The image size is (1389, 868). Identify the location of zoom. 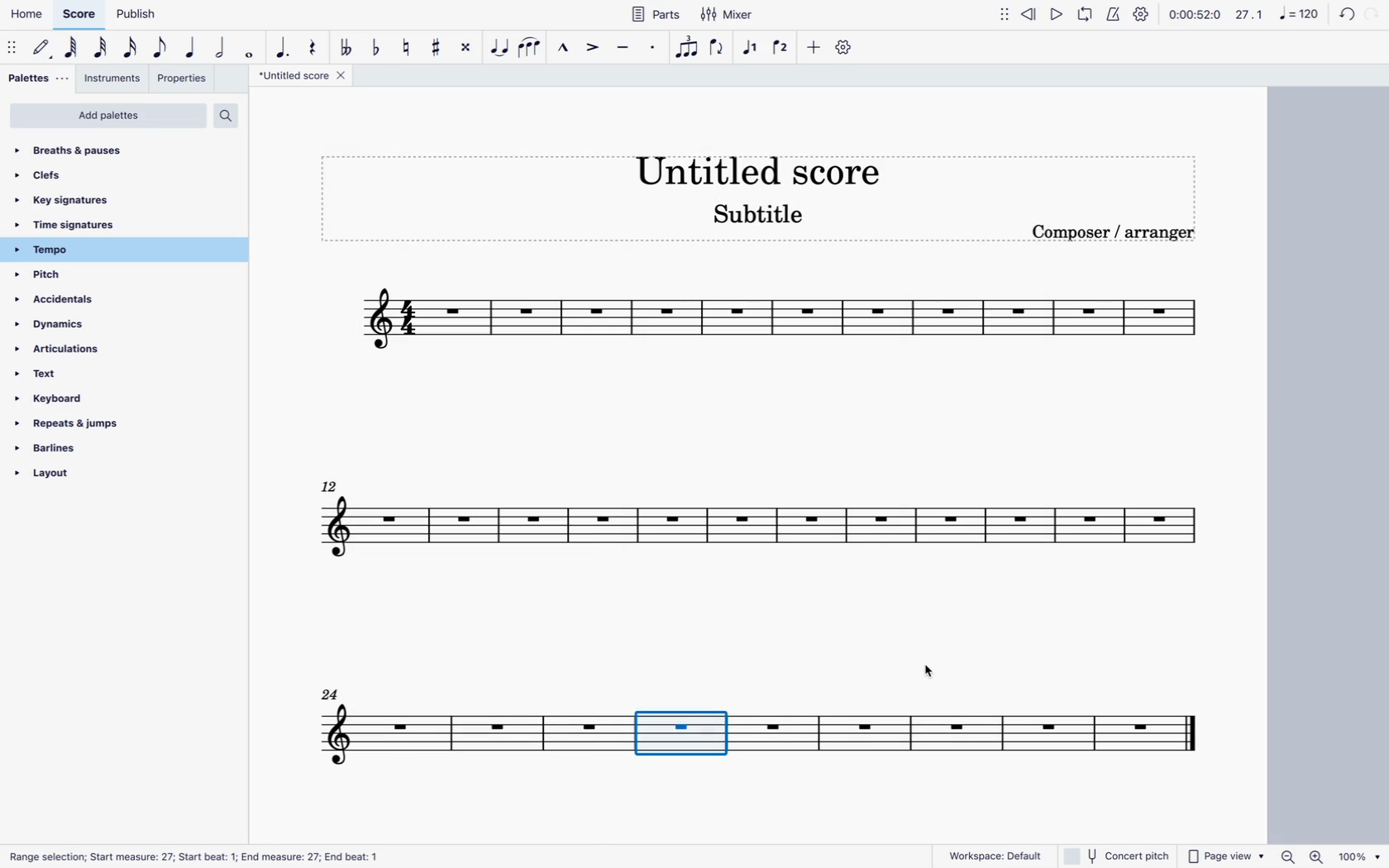
(1329, 855).